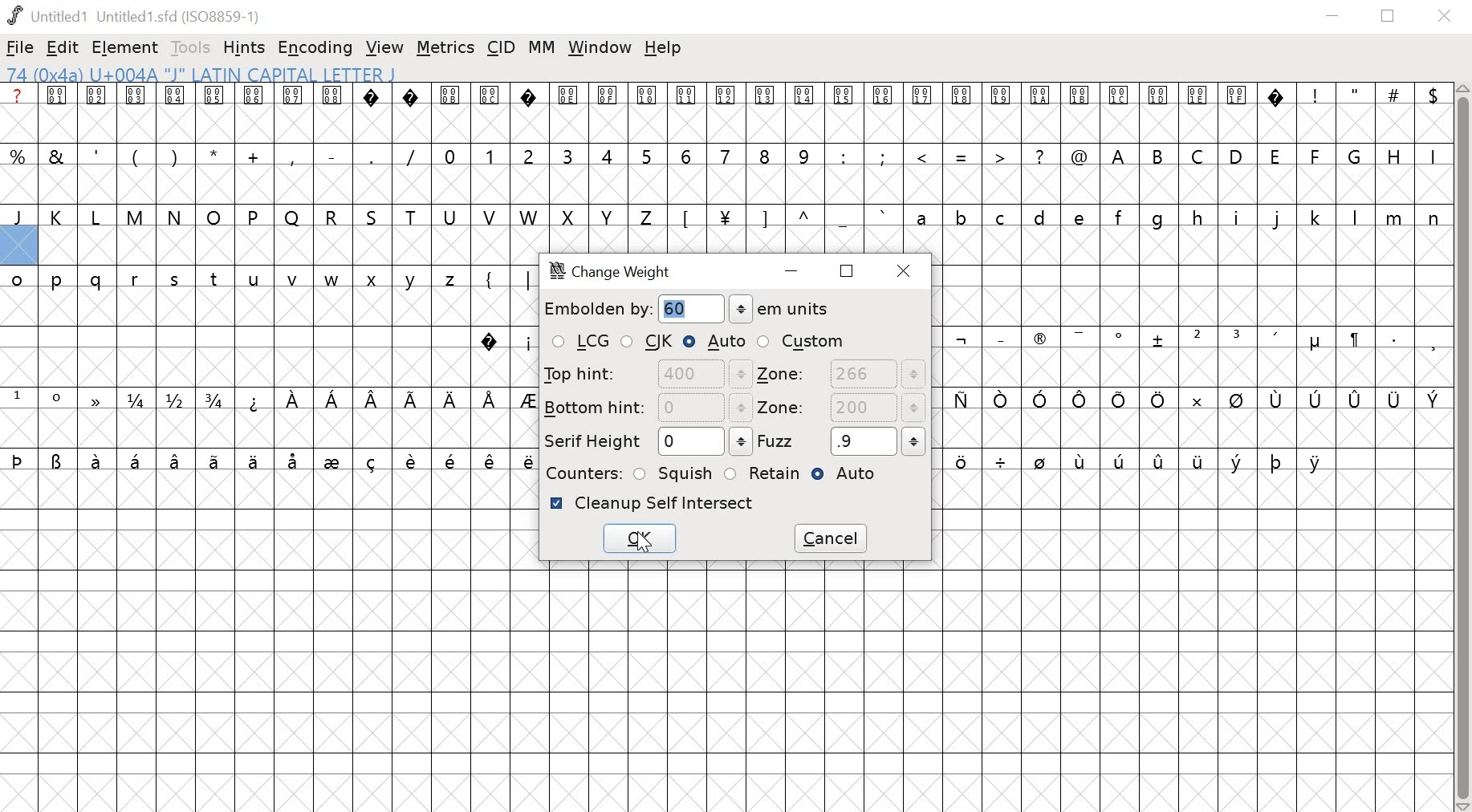 The width and height of the screenshot is (1472, 812). I want to click on AUTO, so click(715, 341).